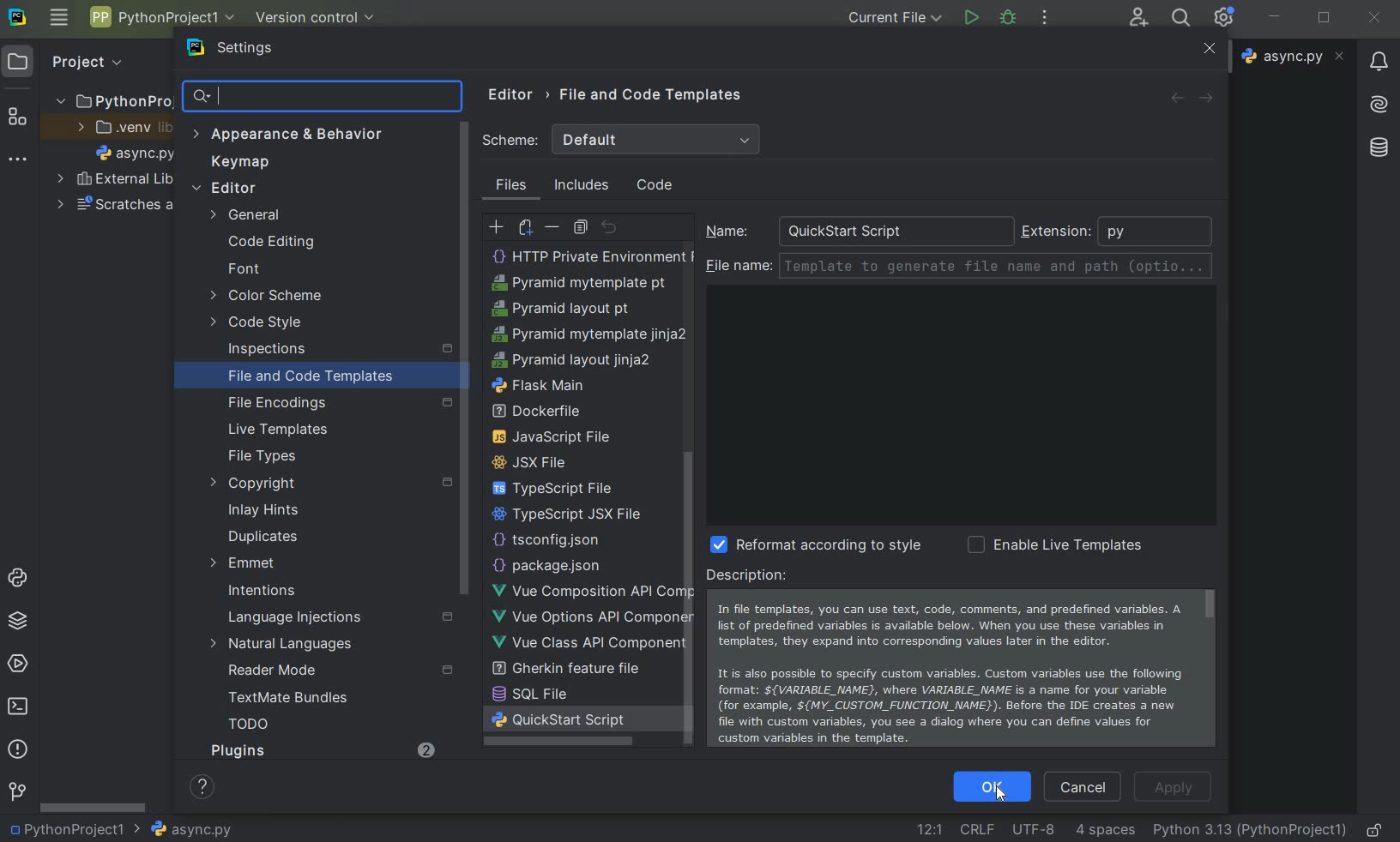 Image resolution: width=1400 pixels, height=842 pixels. What do you see at coordinates (161, 17) in the screenshot?
I see `project name` at bounding box center [161, 17].